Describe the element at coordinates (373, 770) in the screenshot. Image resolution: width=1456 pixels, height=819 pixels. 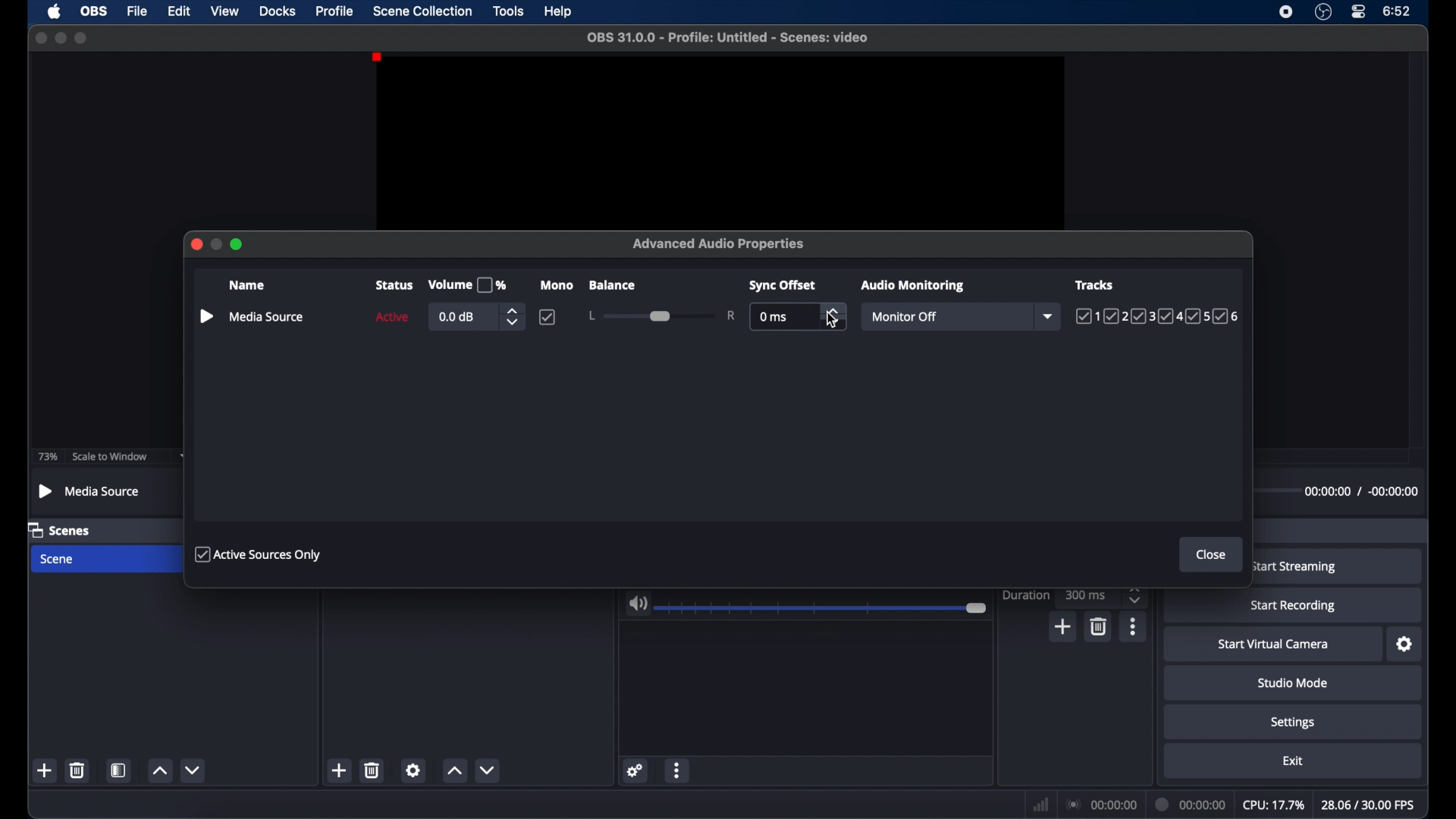
I see `delete` at that location.